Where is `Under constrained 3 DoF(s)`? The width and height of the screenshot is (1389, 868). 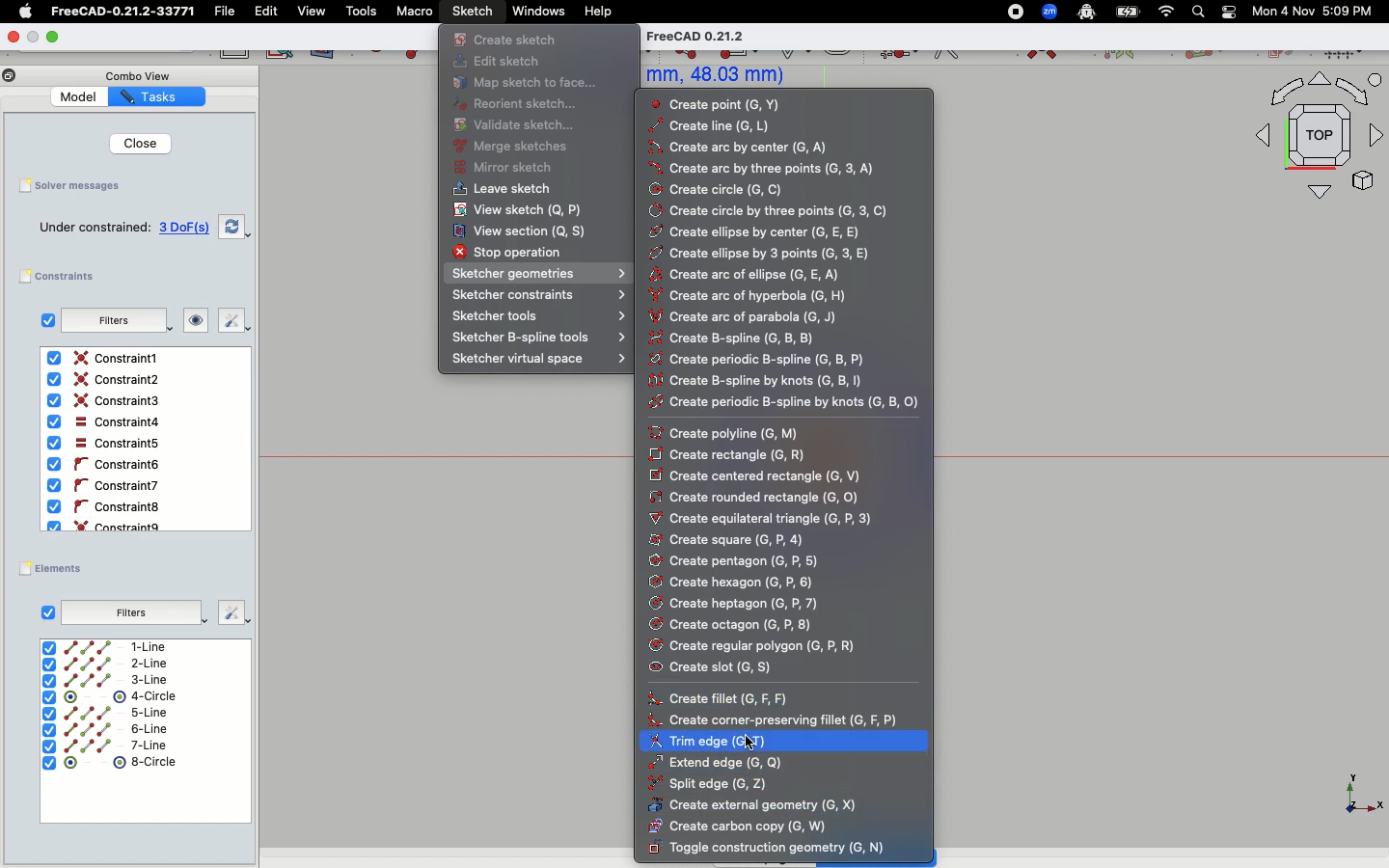
Under constrained 3 DoF(s) is located at coordinates (125, 228).